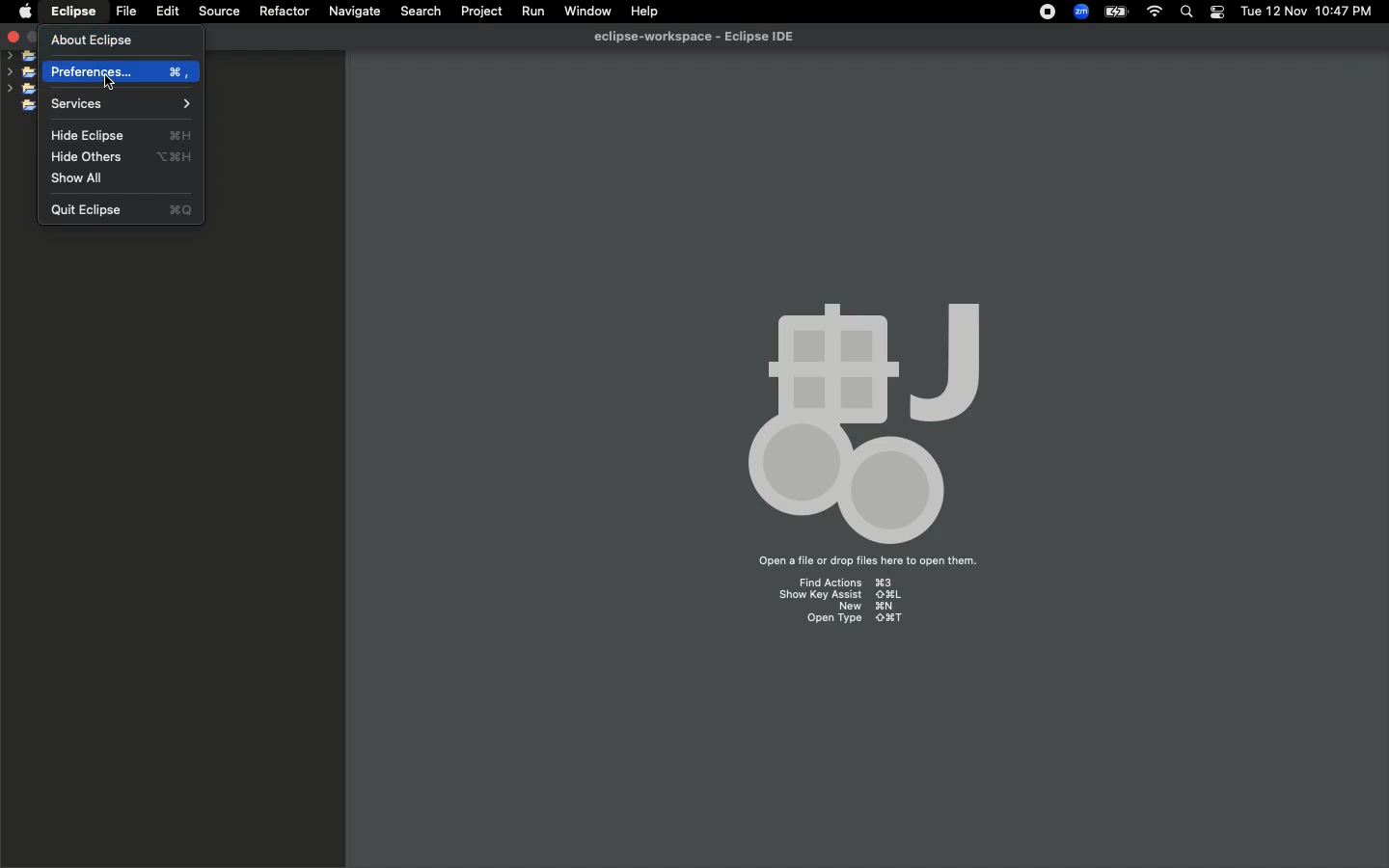  I want to click on Search, so click(422, 13).